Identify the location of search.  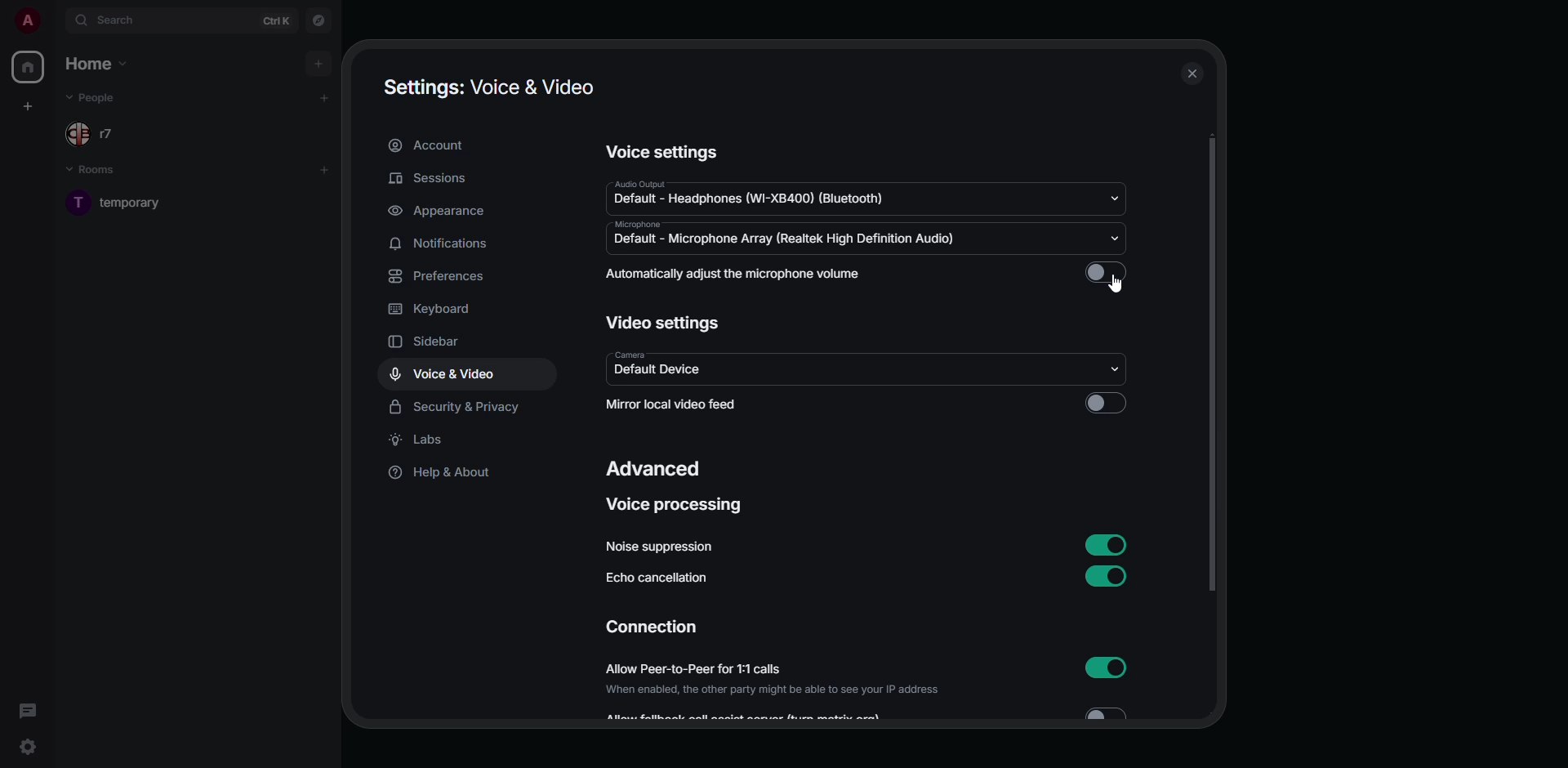
(113, 18).